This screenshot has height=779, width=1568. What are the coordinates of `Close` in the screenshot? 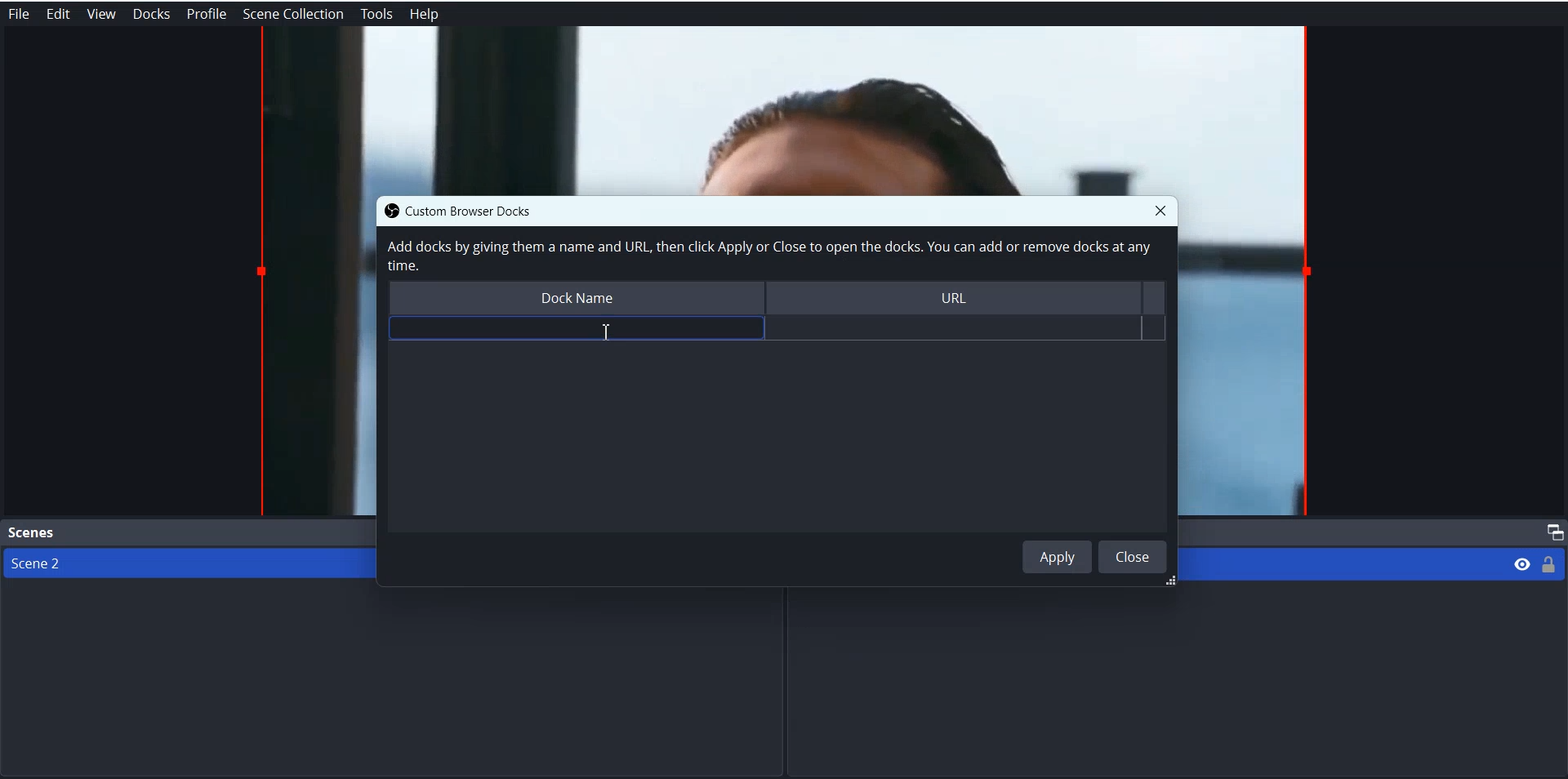 It's located at (1160, 210).